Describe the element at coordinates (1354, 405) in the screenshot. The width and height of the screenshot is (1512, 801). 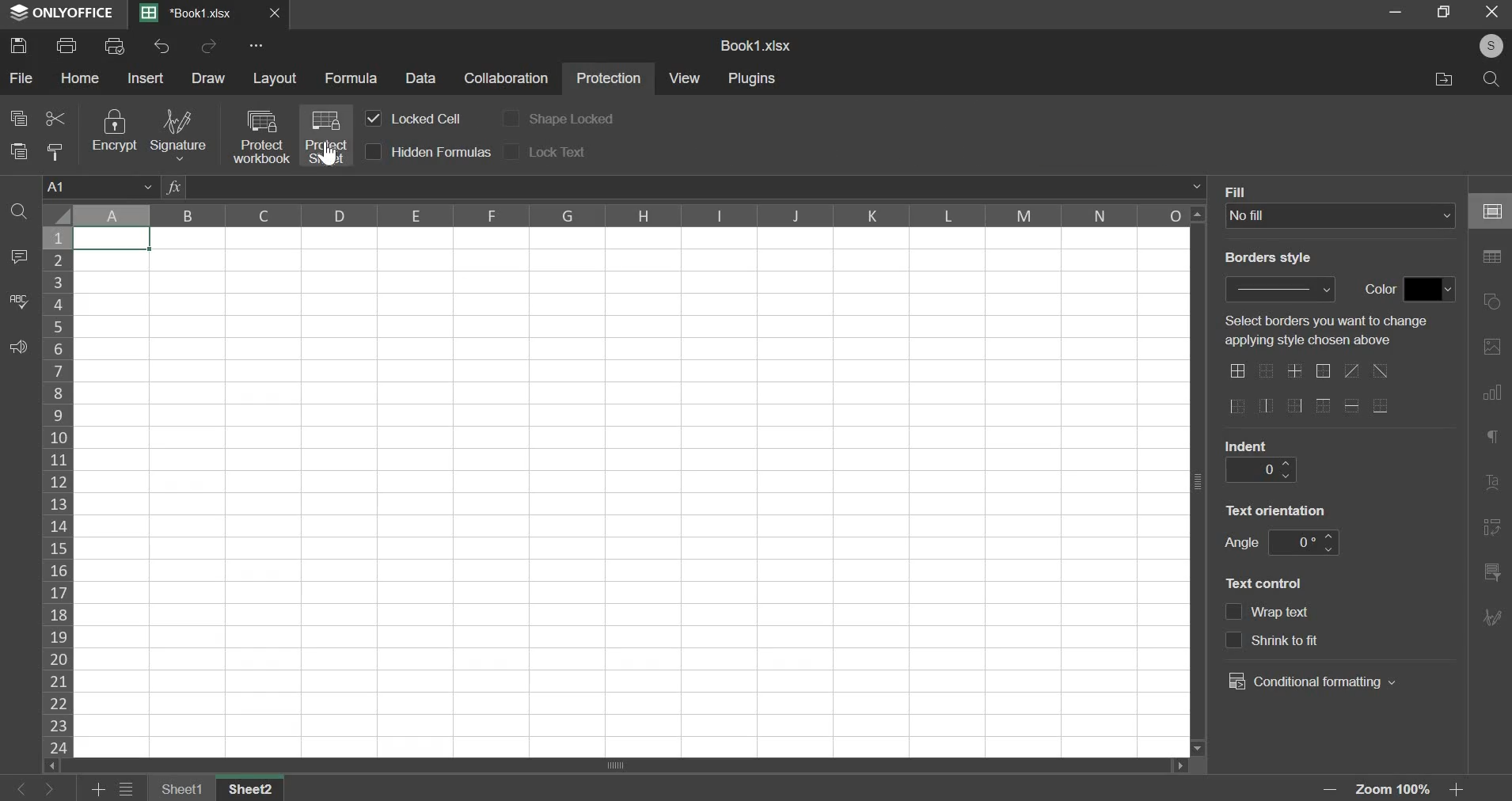
I see `border options` at that location.